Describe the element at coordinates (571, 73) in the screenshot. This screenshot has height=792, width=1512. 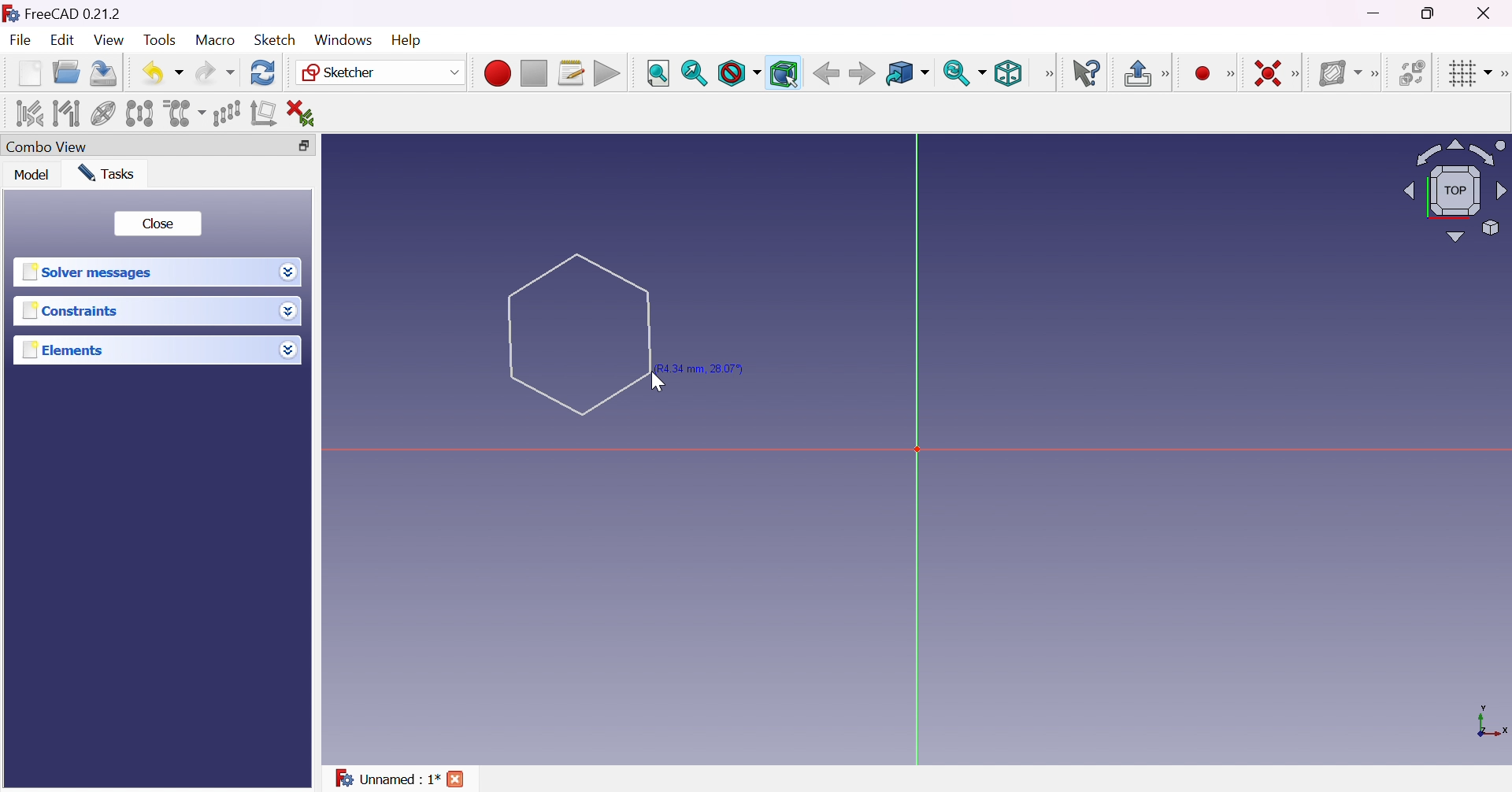
I see `Macros...` at that location.